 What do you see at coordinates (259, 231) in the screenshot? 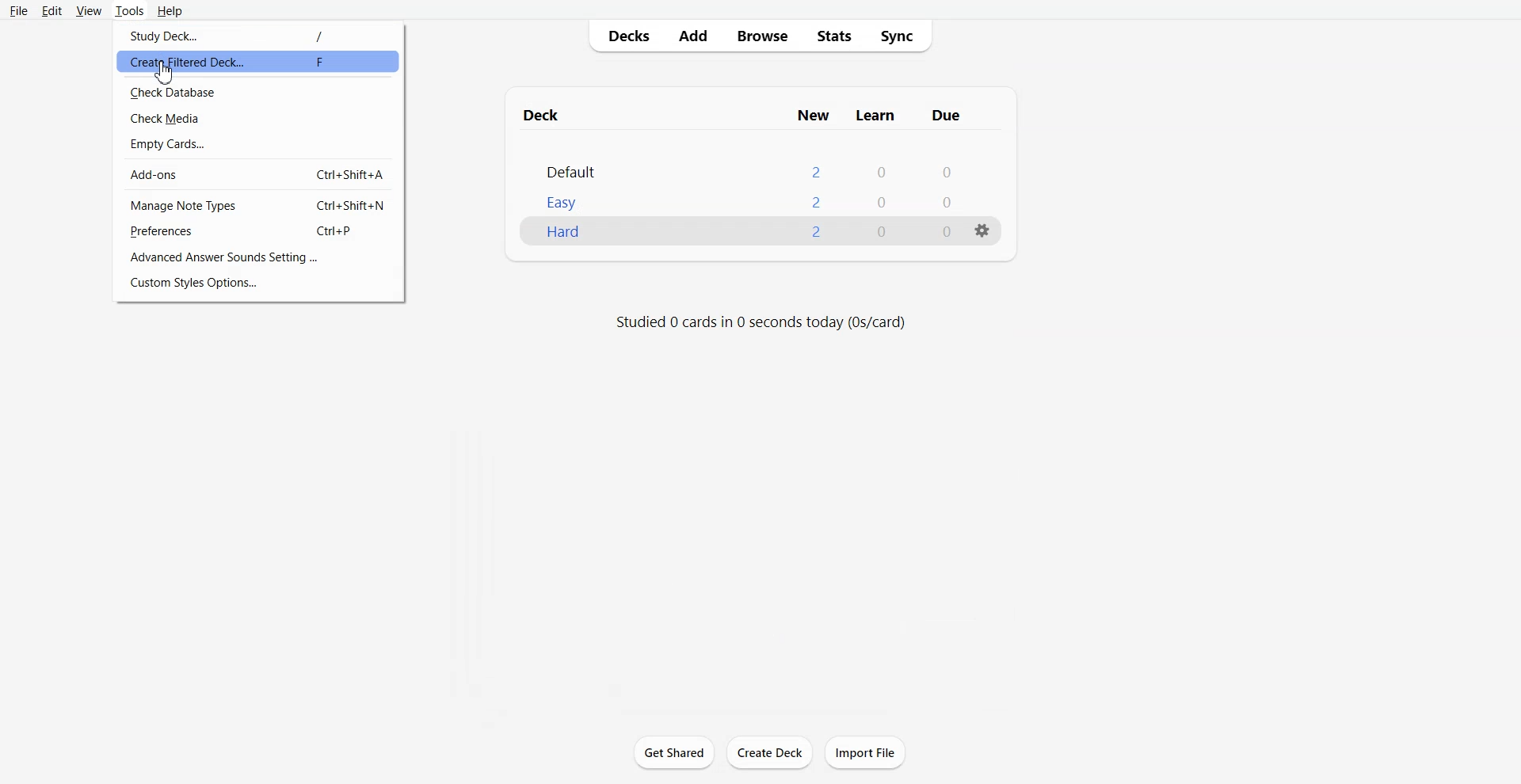
I see `Preferences` at bounding box center [259, 231].